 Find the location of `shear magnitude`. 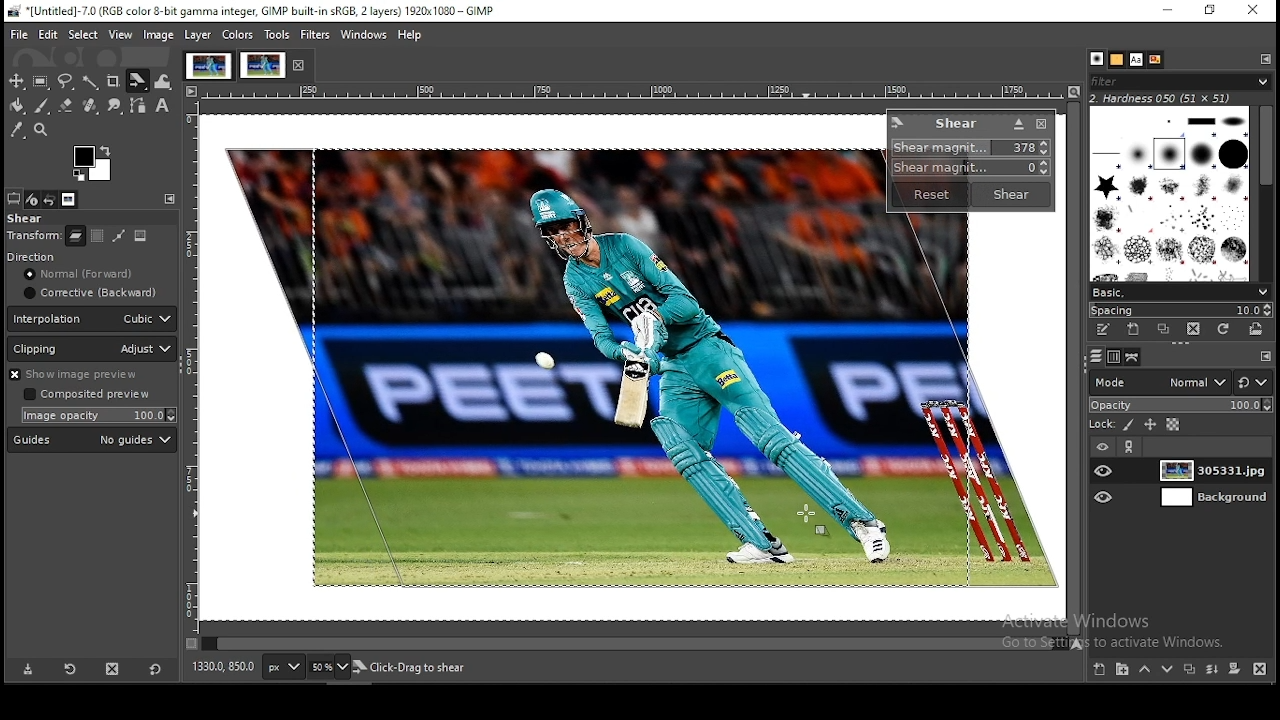

shear magnitude is located at coordinates (973, 148).